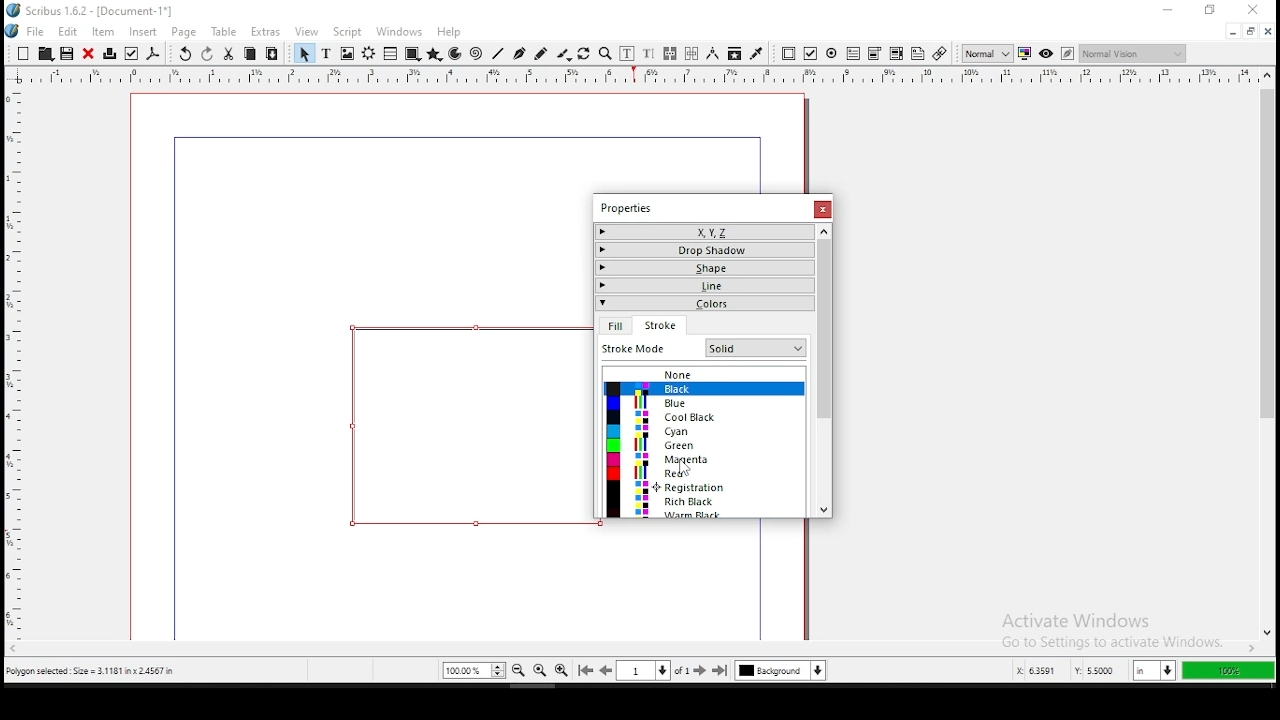 The height and width of the screenshot is (720, 1280). I want to click on select item, so click(304, 53).